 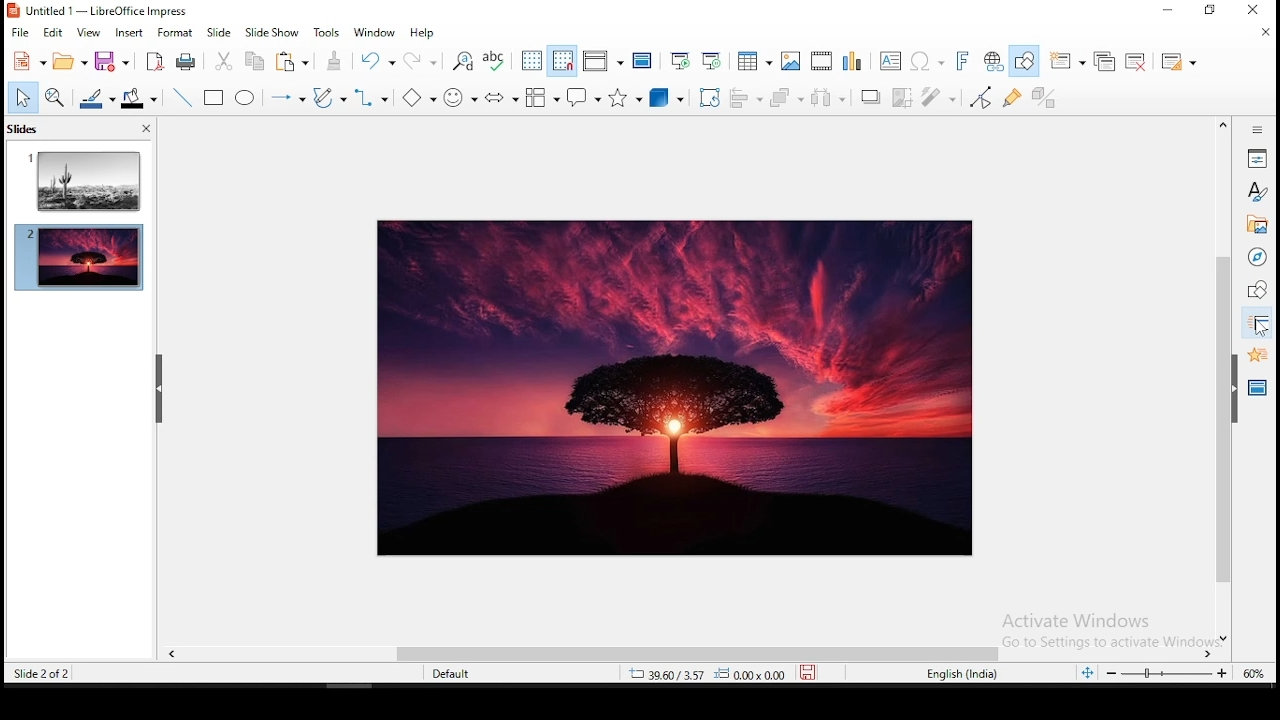 What do you see at coordinates (24, 99) in the screenshot?
I see `select tool` at bounding box center [24, 99].